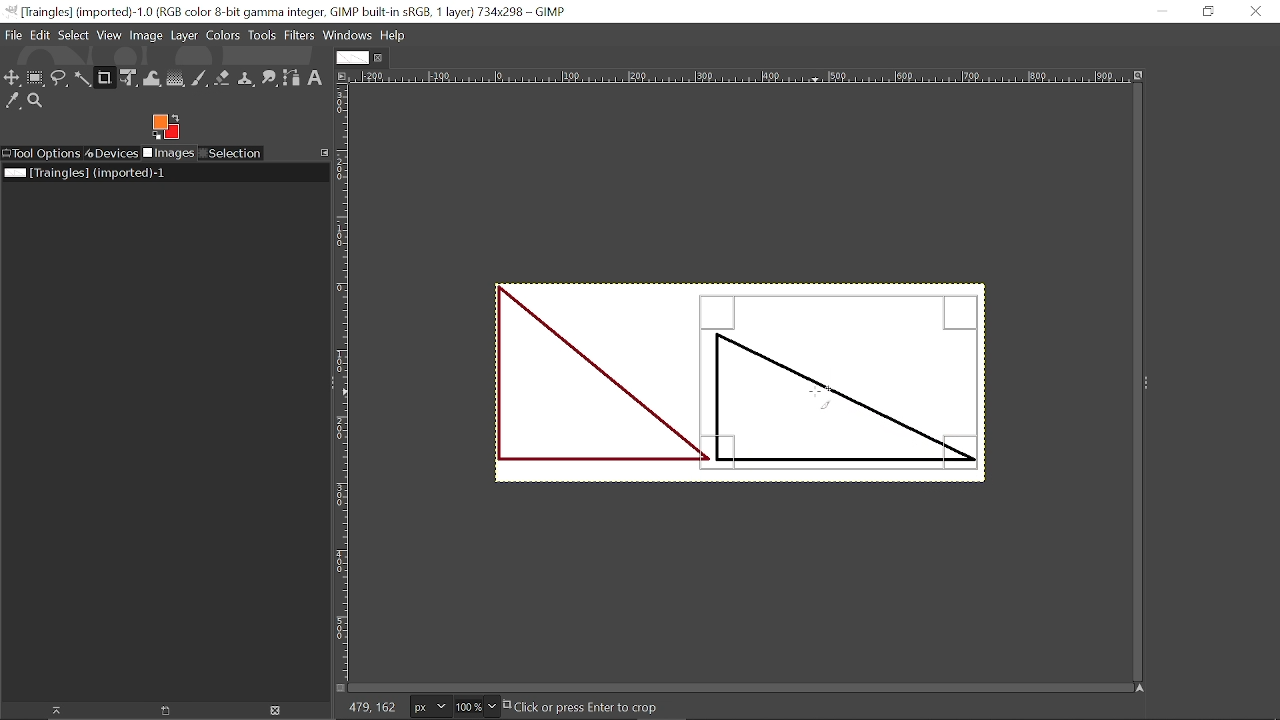 The height and width of the screenshot is (720, 1280). I want to click on layer, so click(184, 37).